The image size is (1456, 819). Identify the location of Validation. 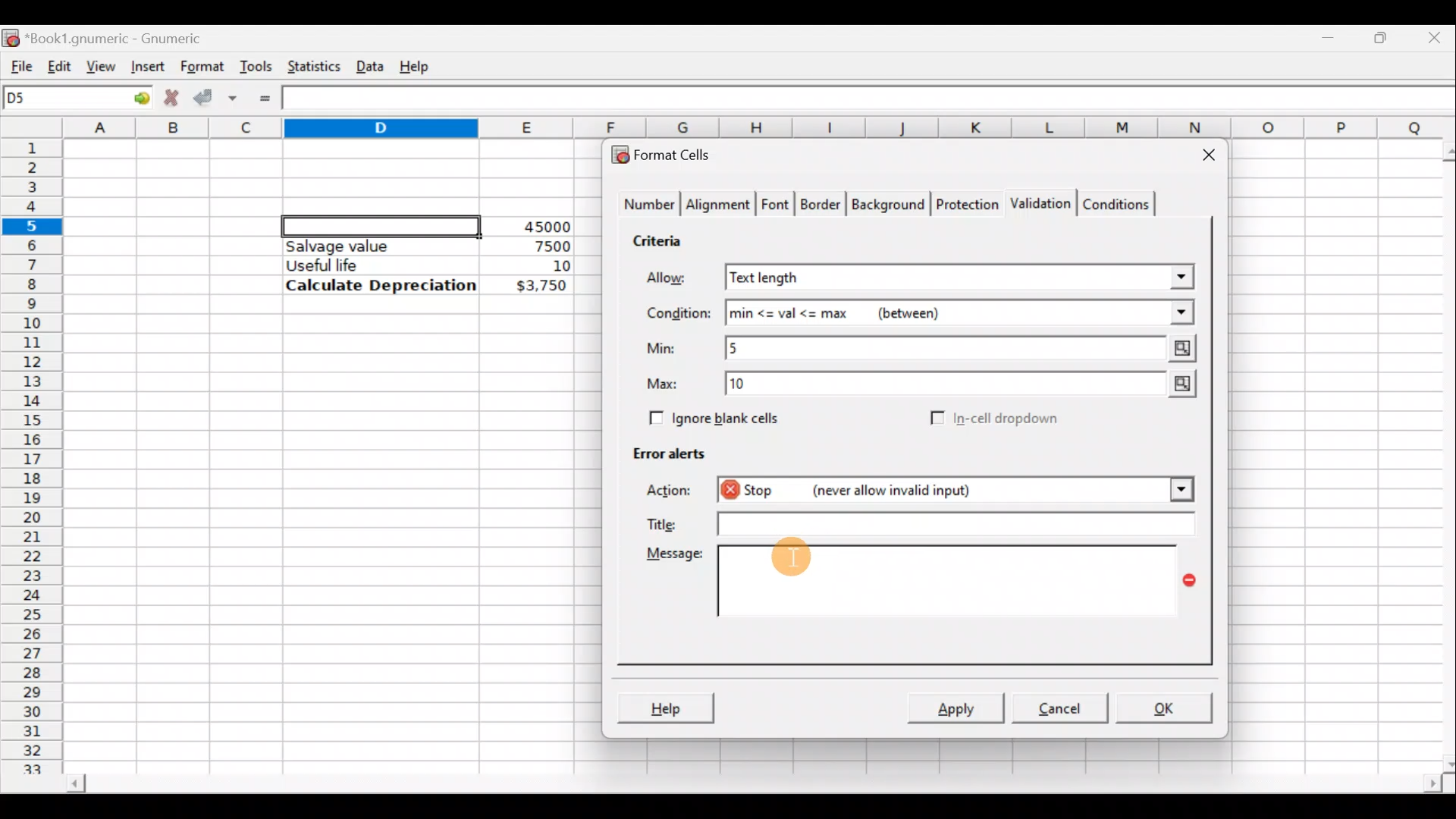
(1037, 205).